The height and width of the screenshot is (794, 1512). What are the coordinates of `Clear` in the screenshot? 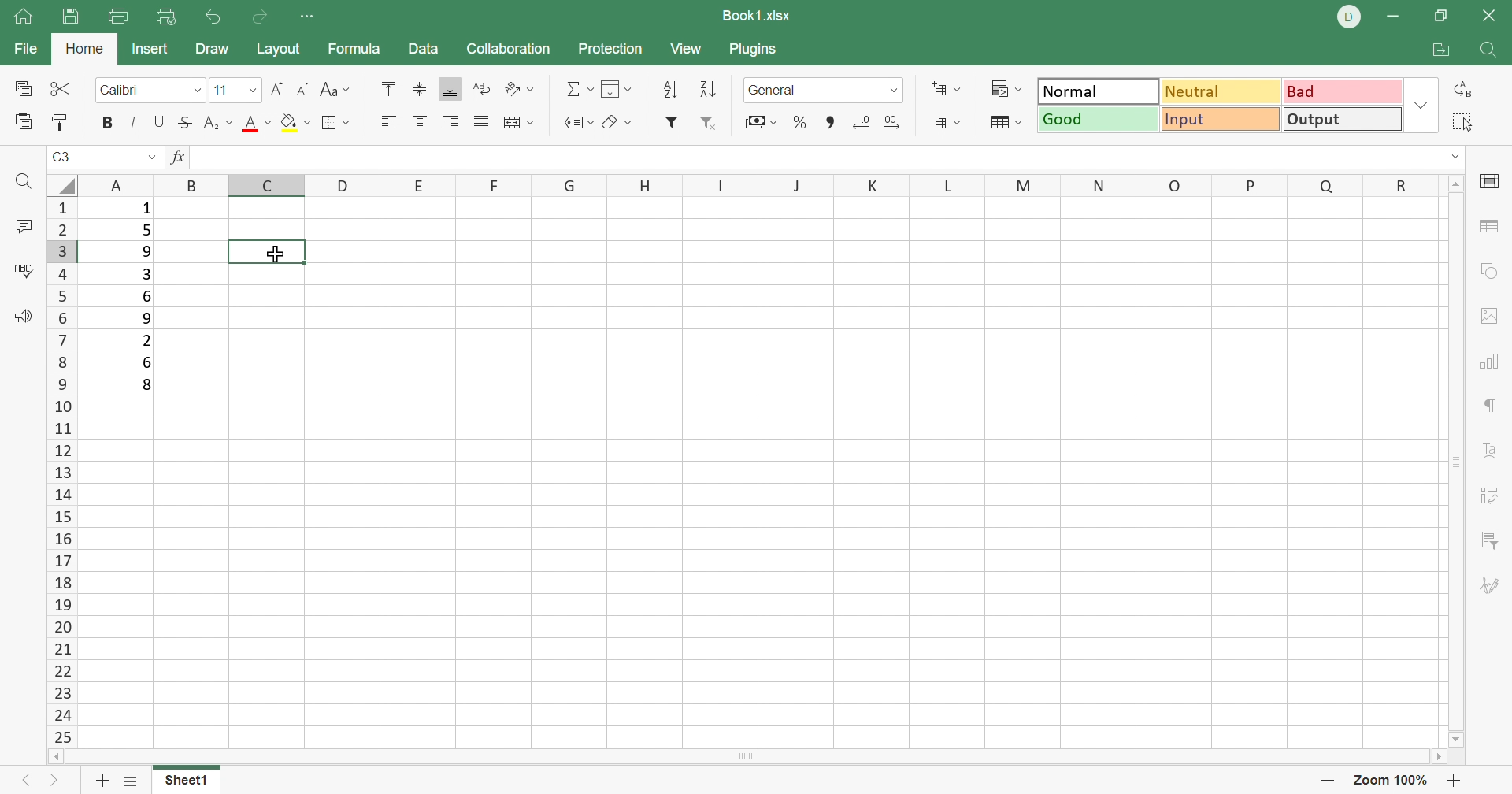 It's located at (621, 124).